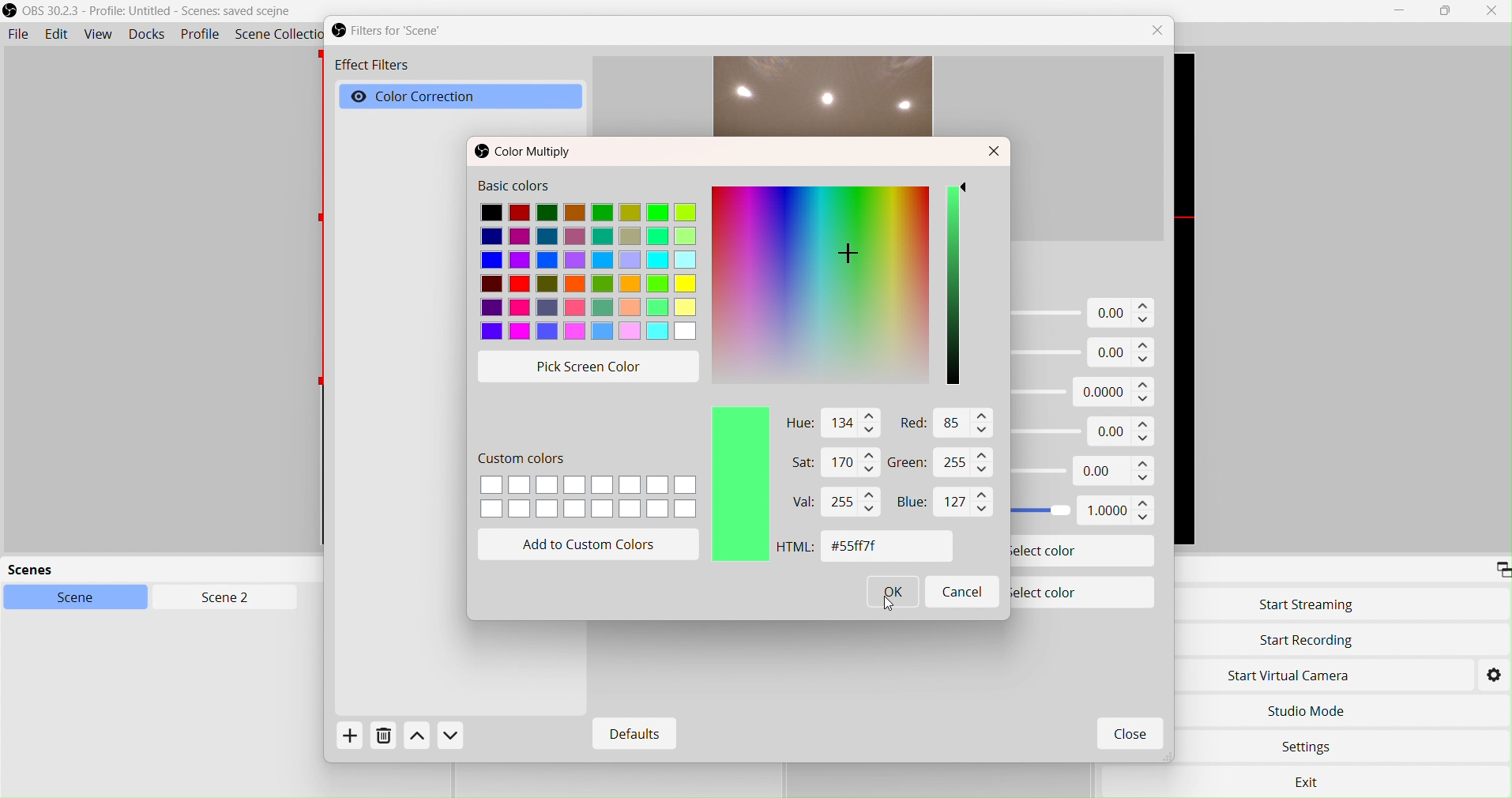 The height and width of the screenshot is (798, 1512). Describe the element at coordinates (1491, 10) in the screenshot. I see `Close` at that location.